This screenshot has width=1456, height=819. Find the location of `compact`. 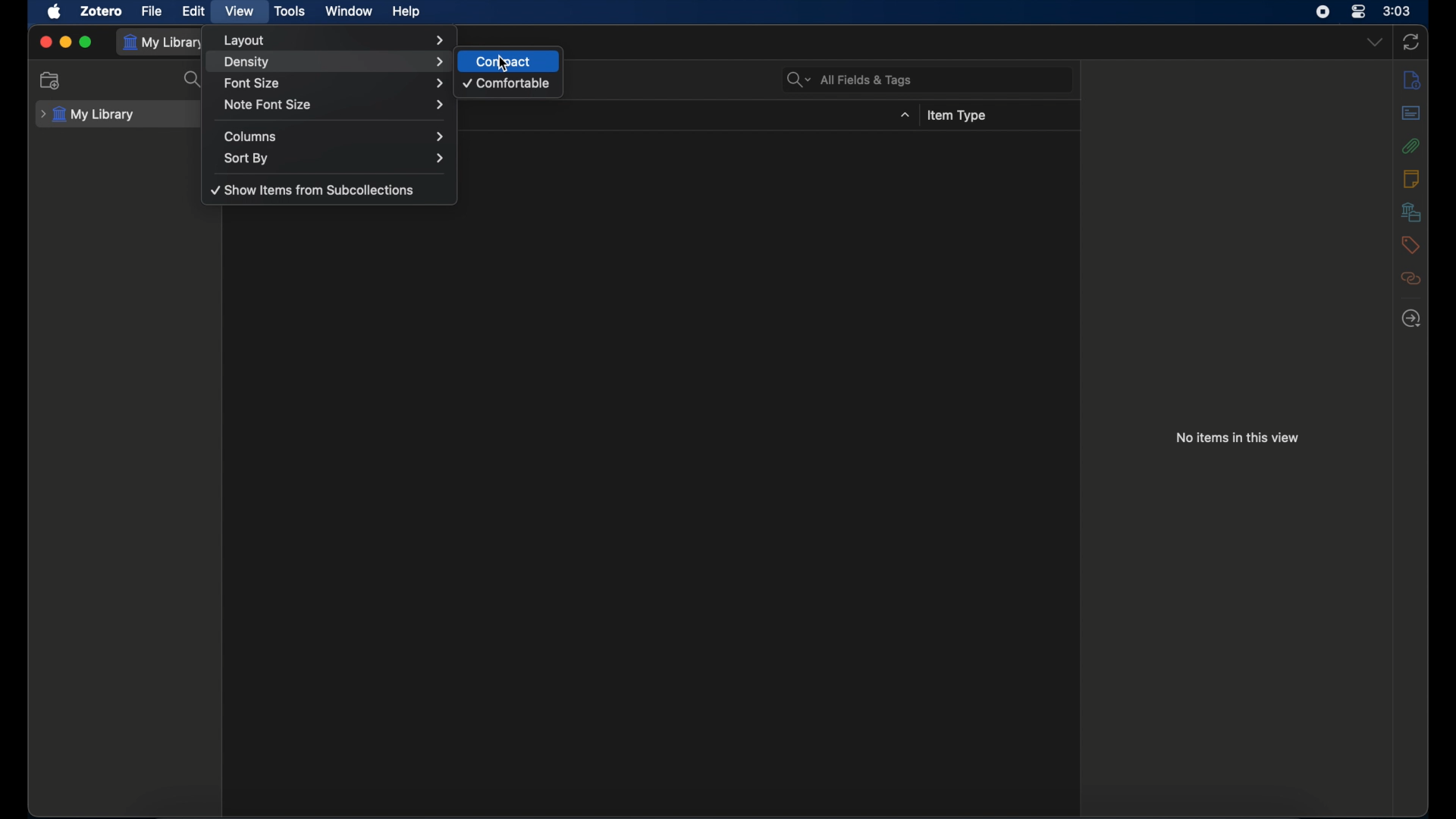

compact is located at coordinates (504, 61).